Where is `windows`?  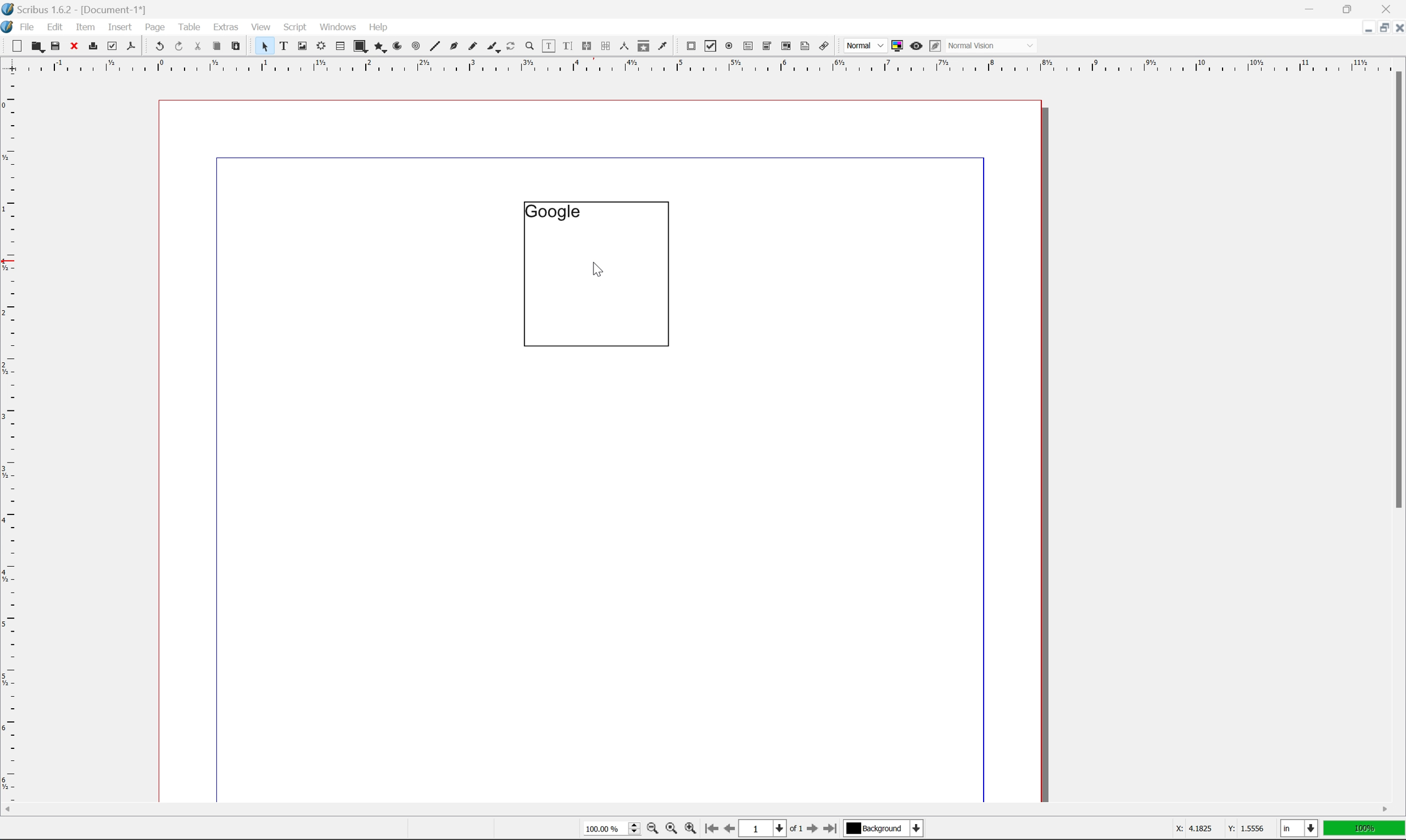 windows is located at coordinates (340, 26).